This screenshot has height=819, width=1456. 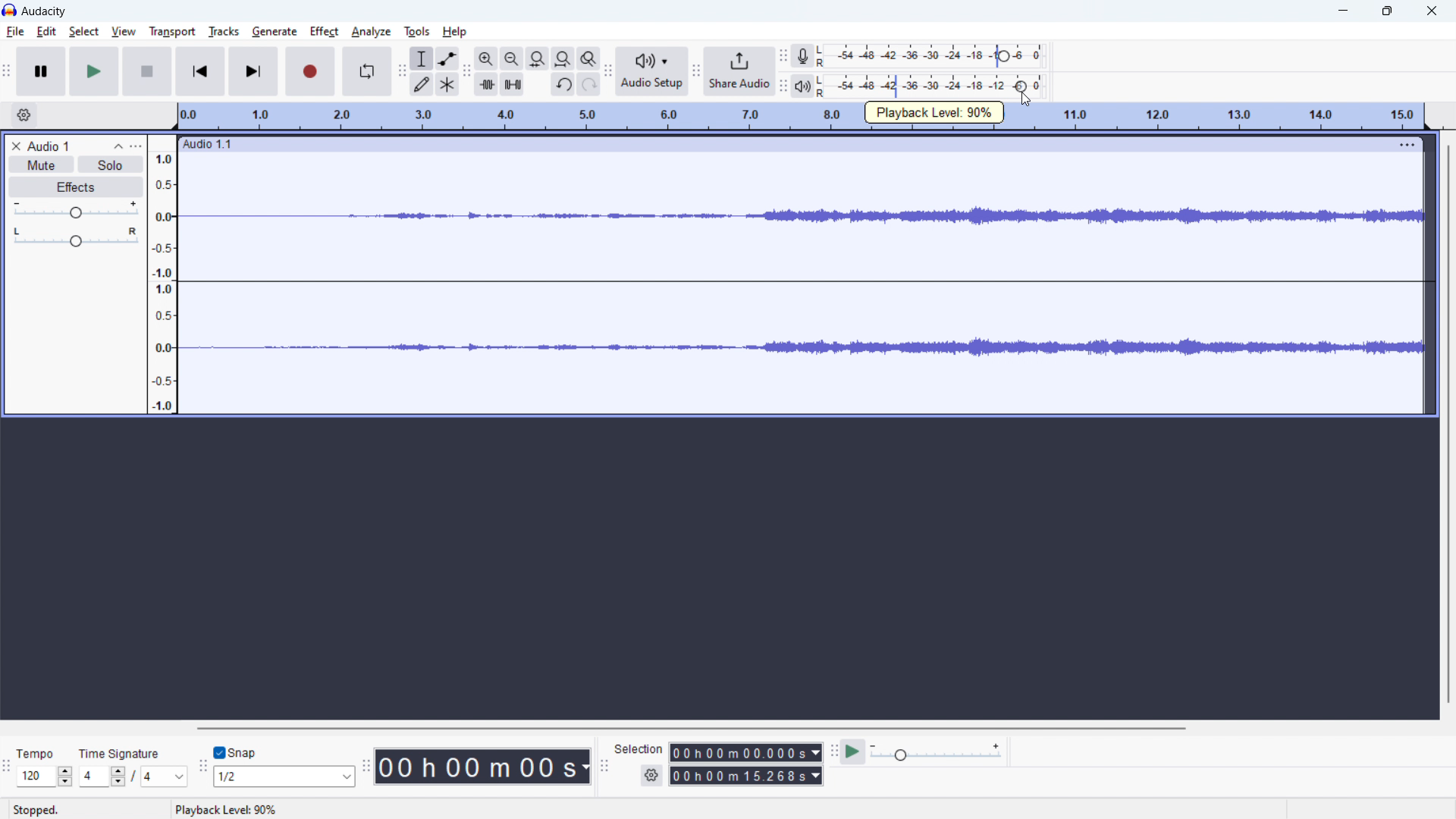 I want to click on snapping toolbar, so click(x=202, y=765).